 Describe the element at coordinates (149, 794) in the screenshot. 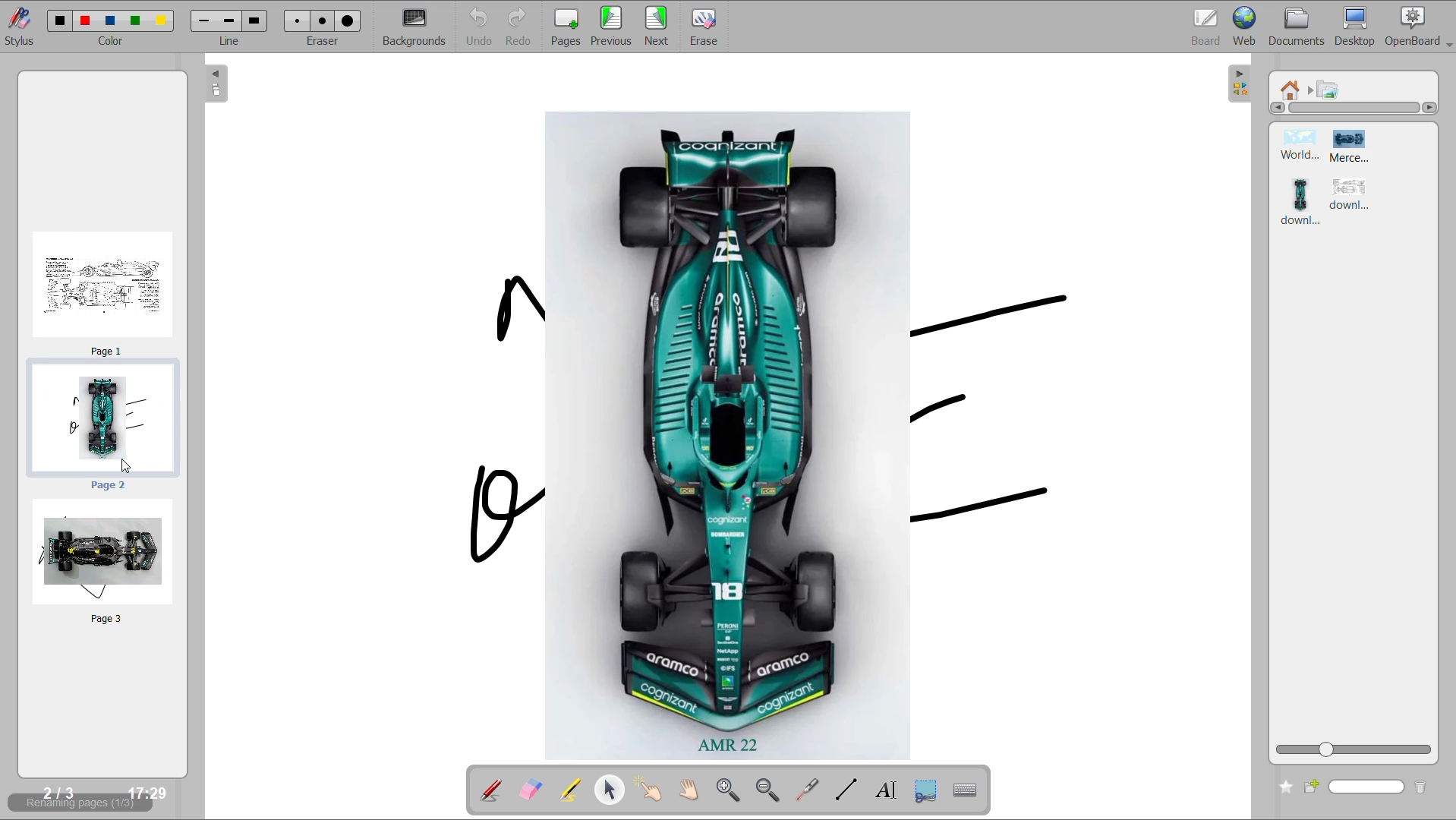

I see `17:29` at that location.